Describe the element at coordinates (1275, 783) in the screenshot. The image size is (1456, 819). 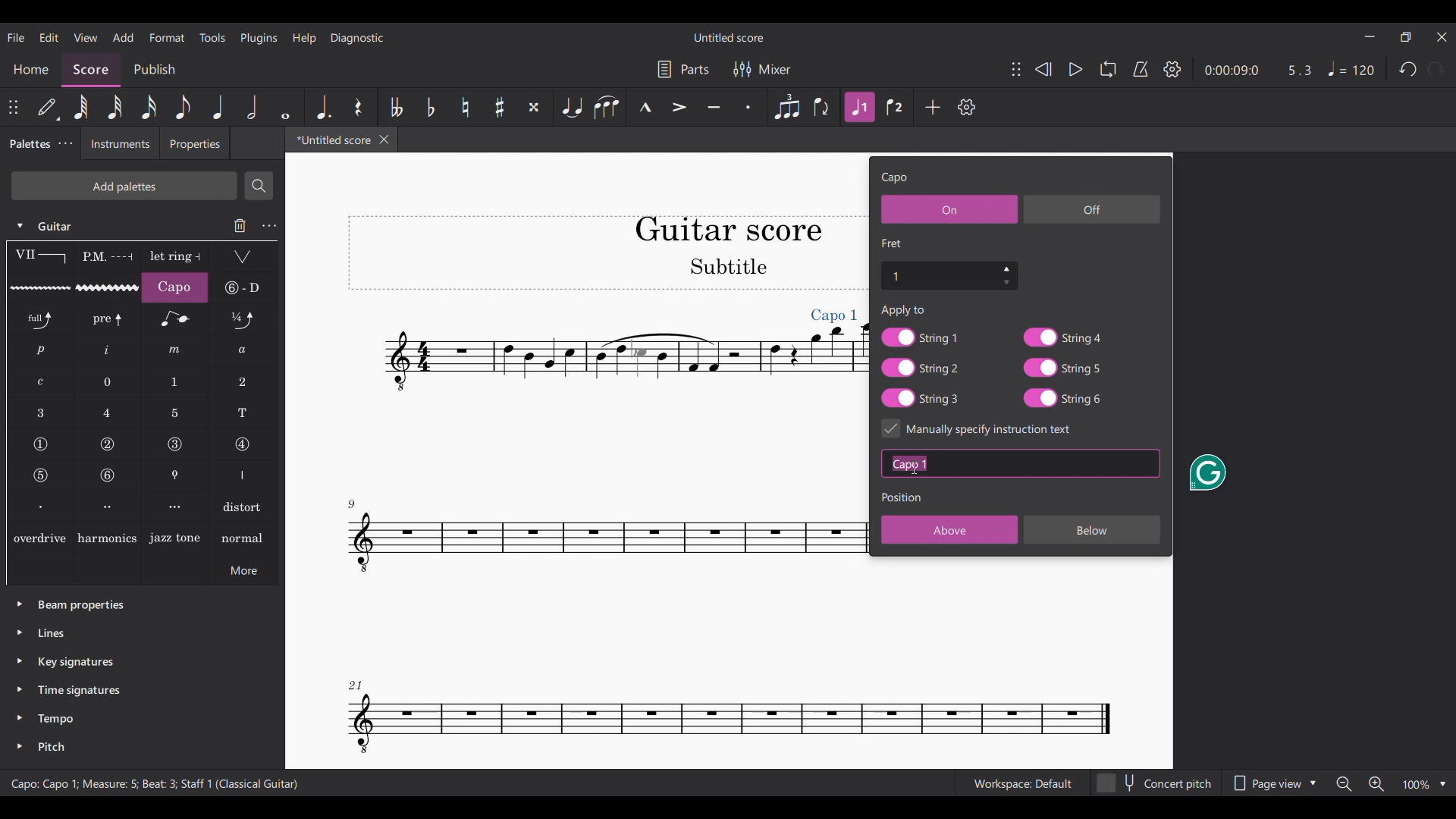
I see `Page view options` at that location.